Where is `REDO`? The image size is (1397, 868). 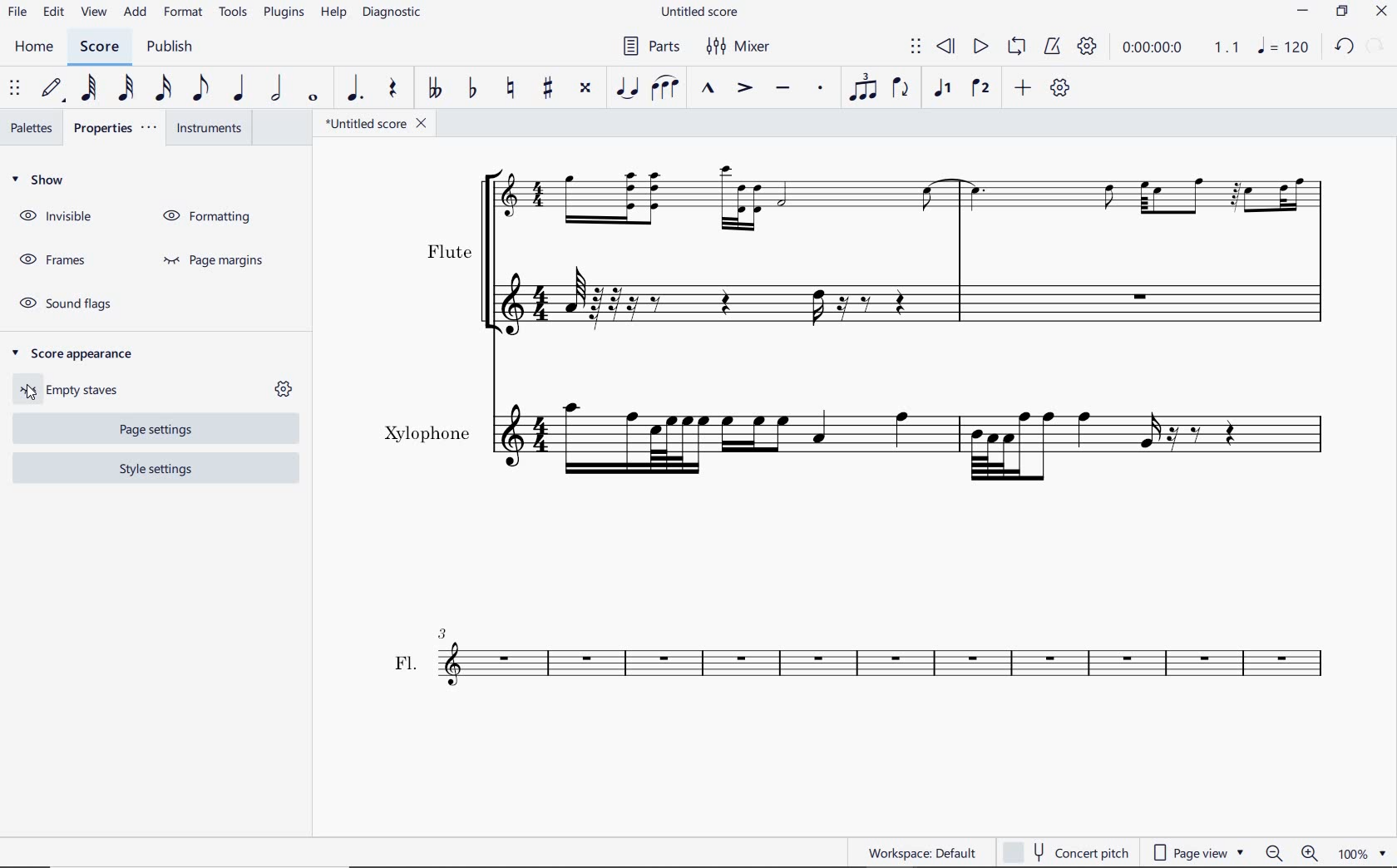 REDO is located at coordinates (1376, 45).